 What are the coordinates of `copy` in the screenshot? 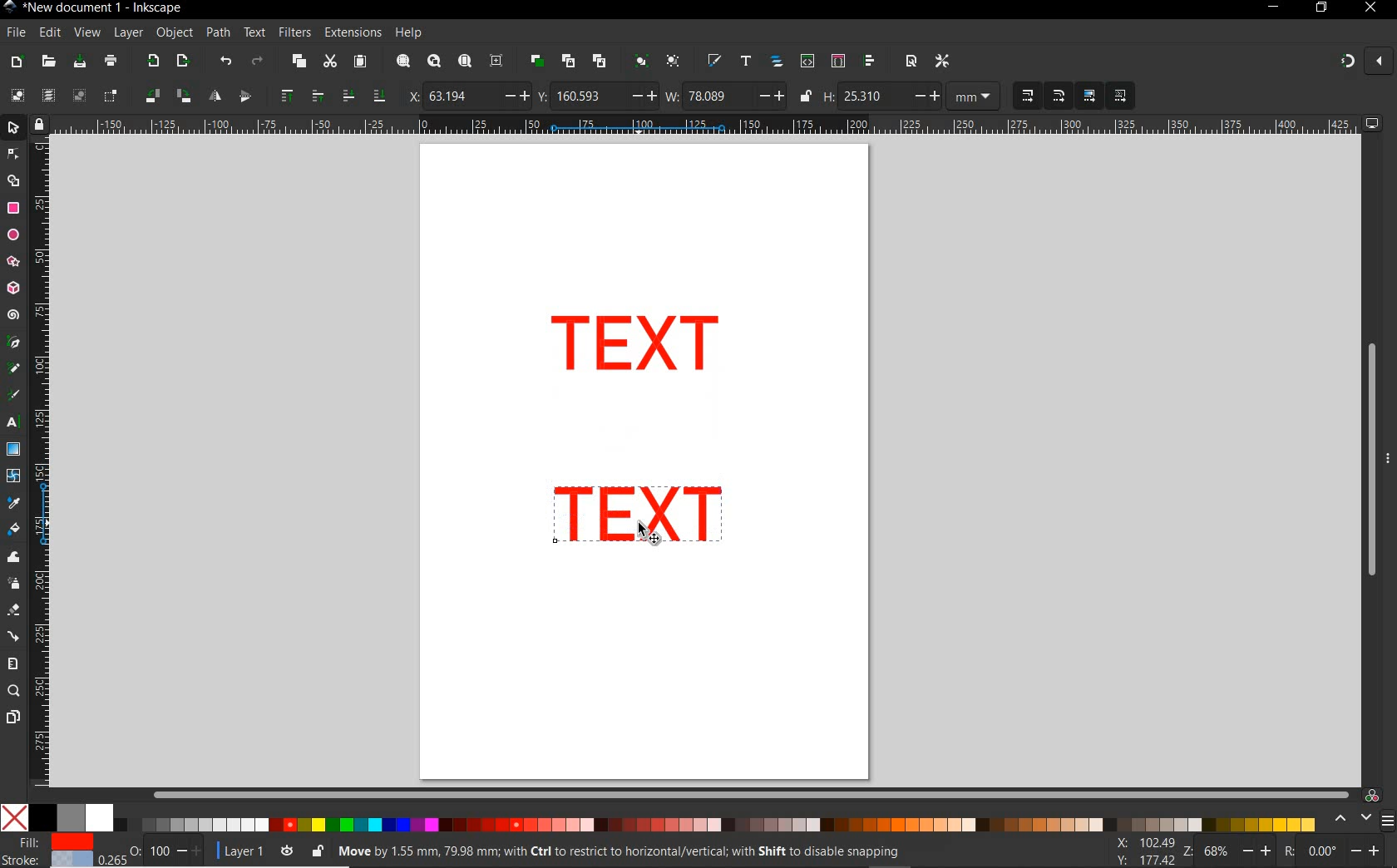 It's located at (297, 62).